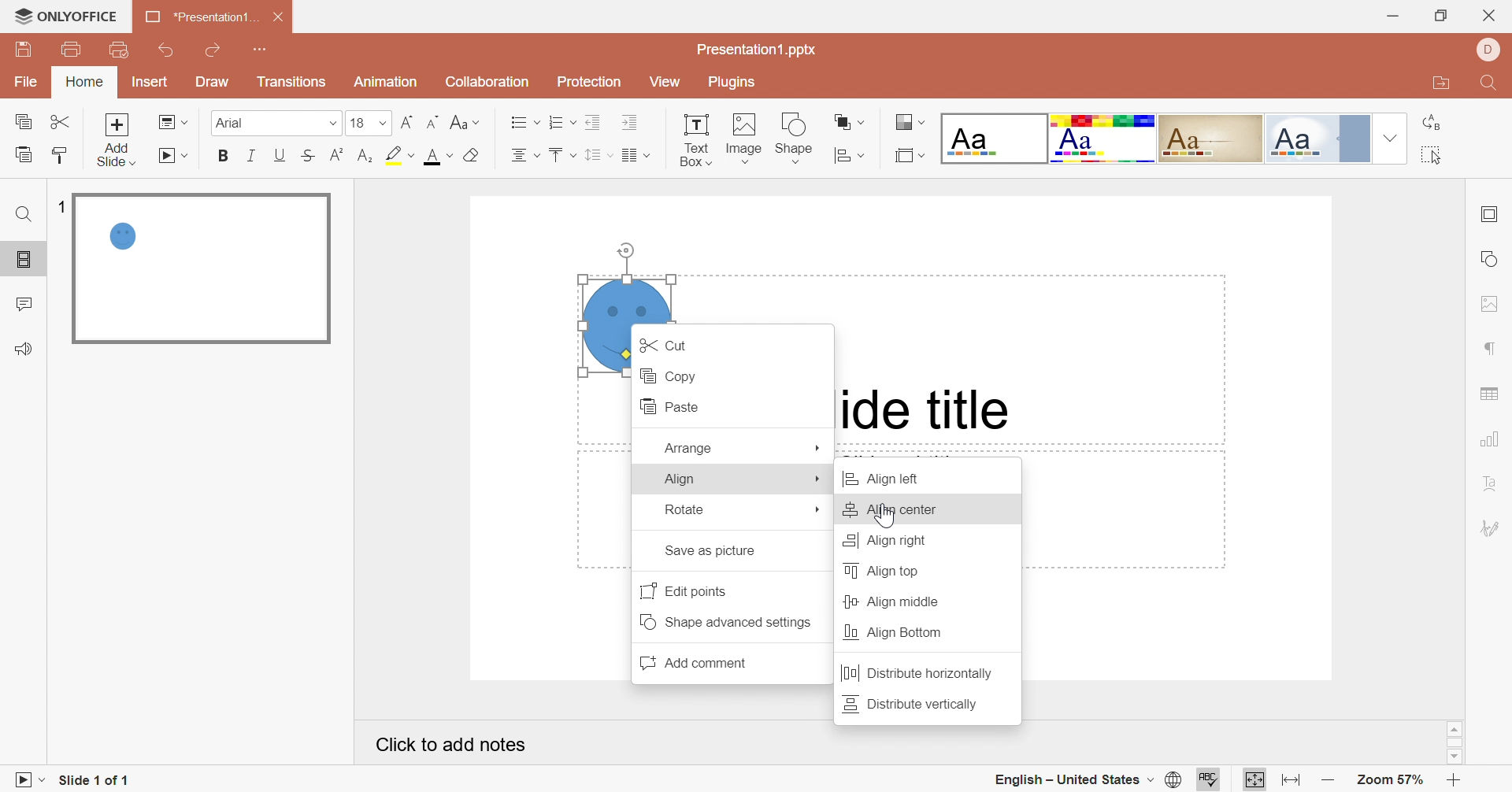 The width and height of the screenshot is (1512, 792). What do you see at coordinates (1432, 157) in the screenshot?
I see `Select all` at bounding box center [1432, 157].